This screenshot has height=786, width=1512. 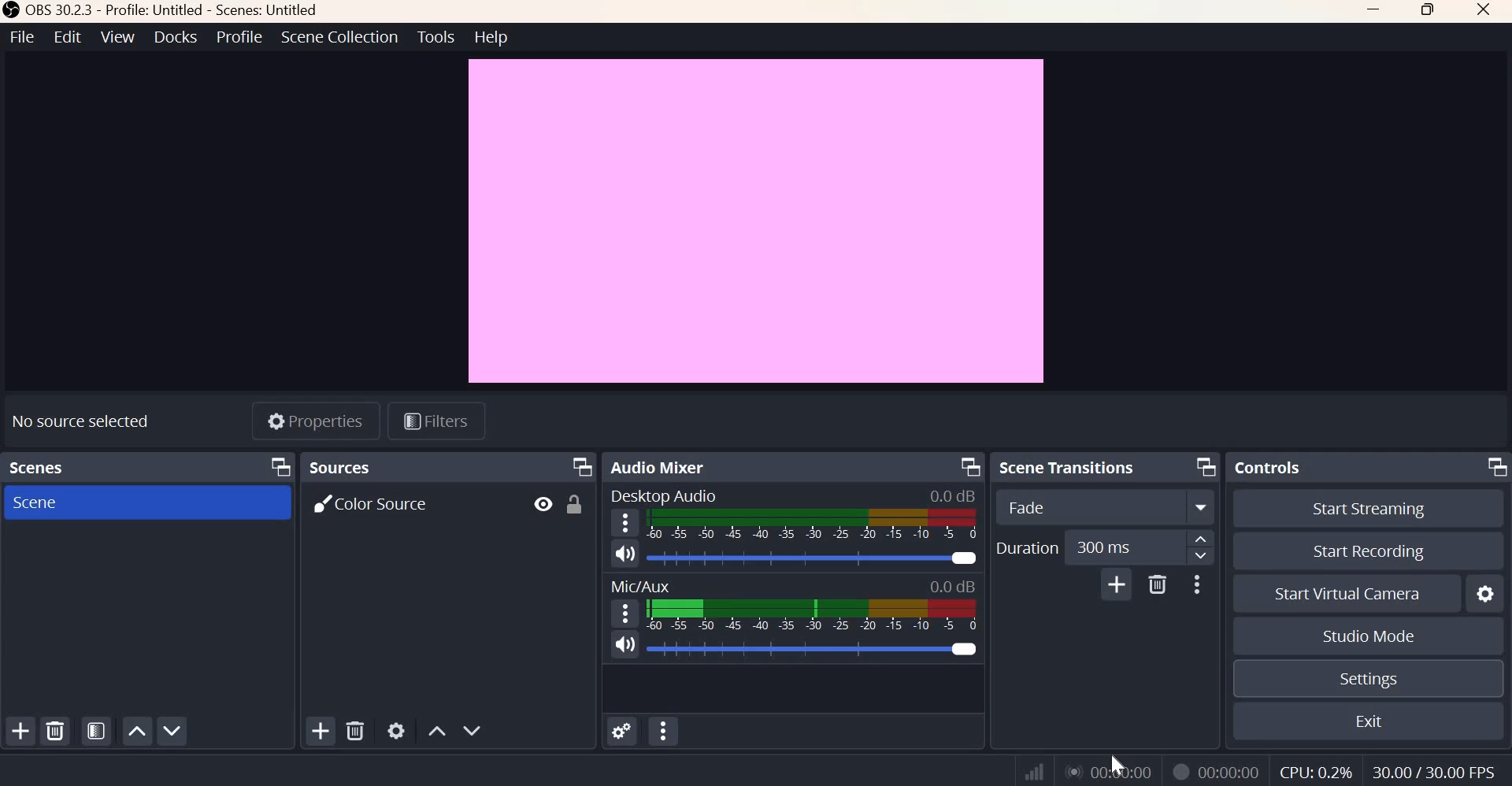 What do you see at coordinates (436, 730) in the screenshot?
I see `Move source(s) up` at bounding box center [436, 730].